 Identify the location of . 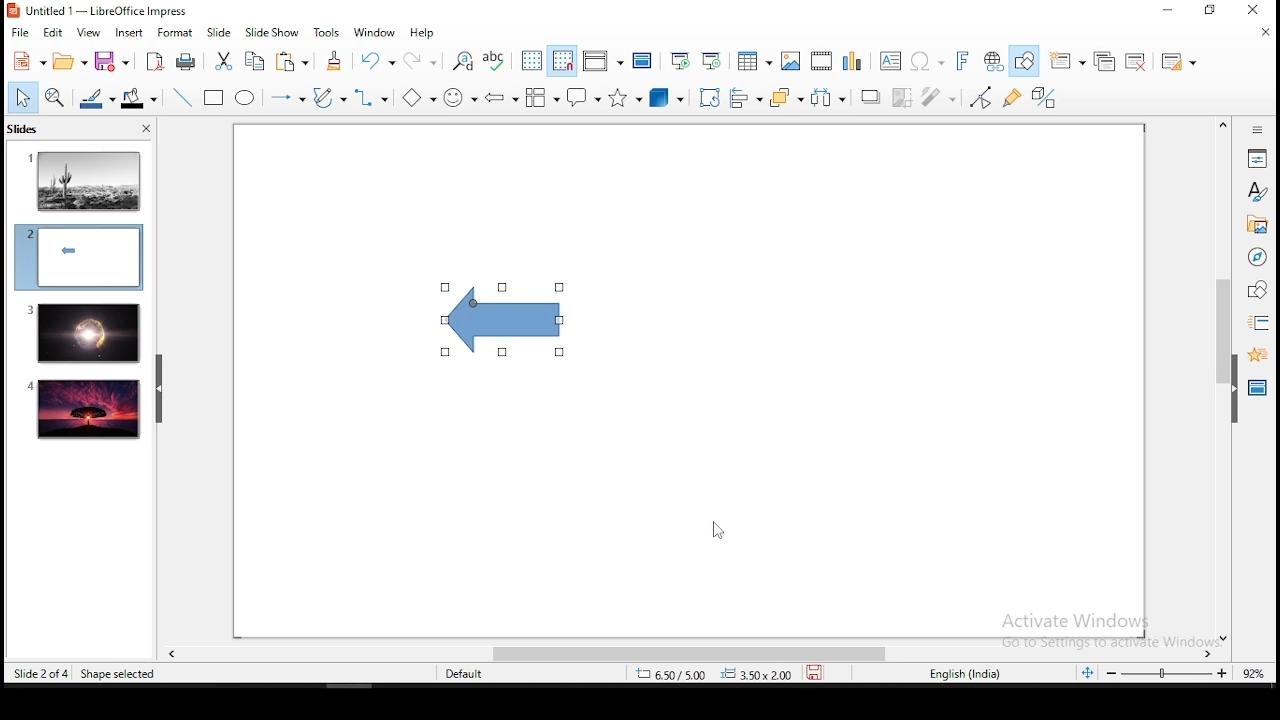
(1255, 129).